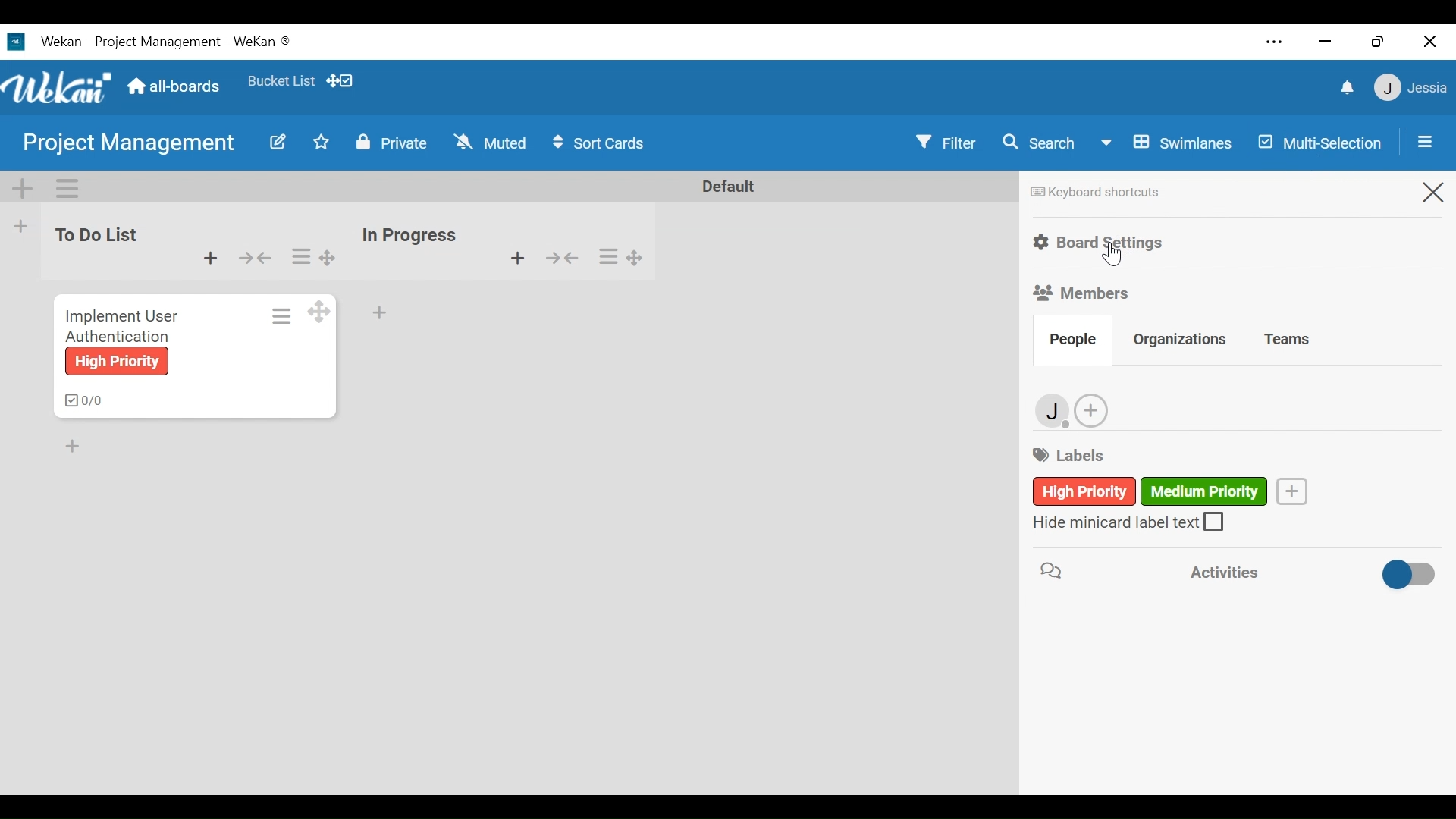 The image size is (1456, 819). I want to click on Board Name, so click(133, 143).